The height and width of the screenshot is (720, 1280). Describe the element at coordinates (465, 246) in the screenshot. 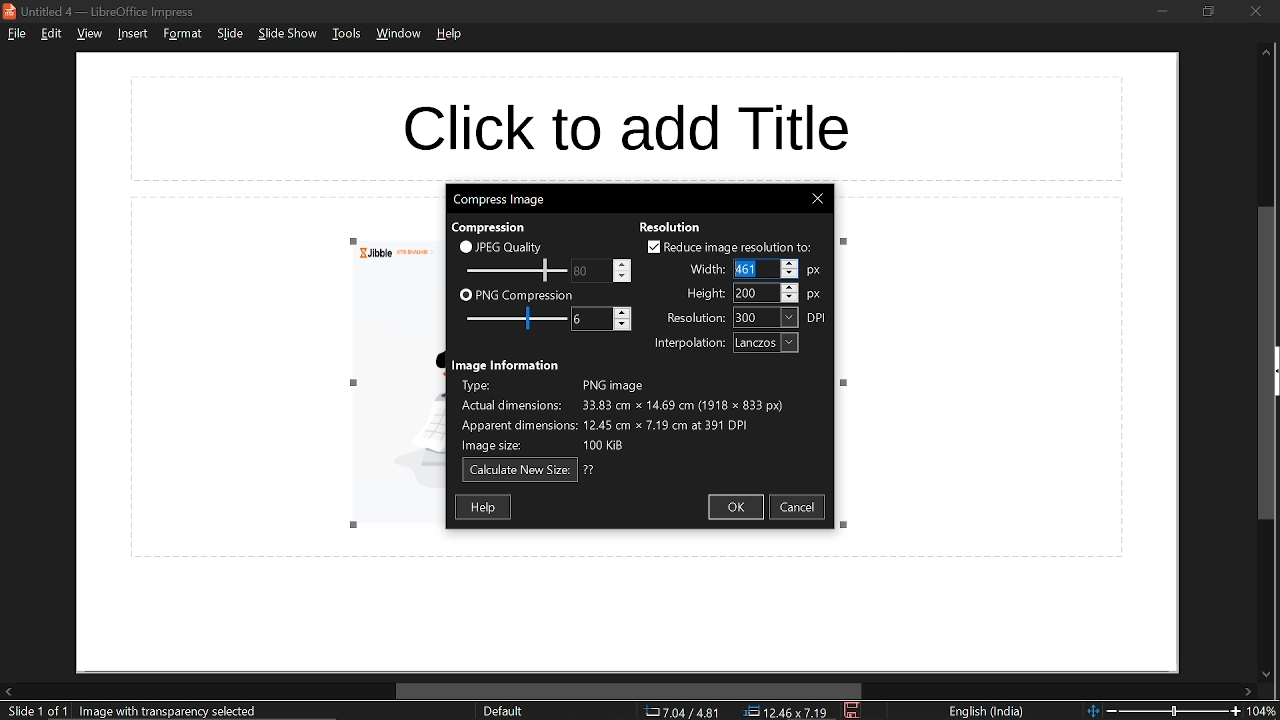

I see `checkbox` at that location.